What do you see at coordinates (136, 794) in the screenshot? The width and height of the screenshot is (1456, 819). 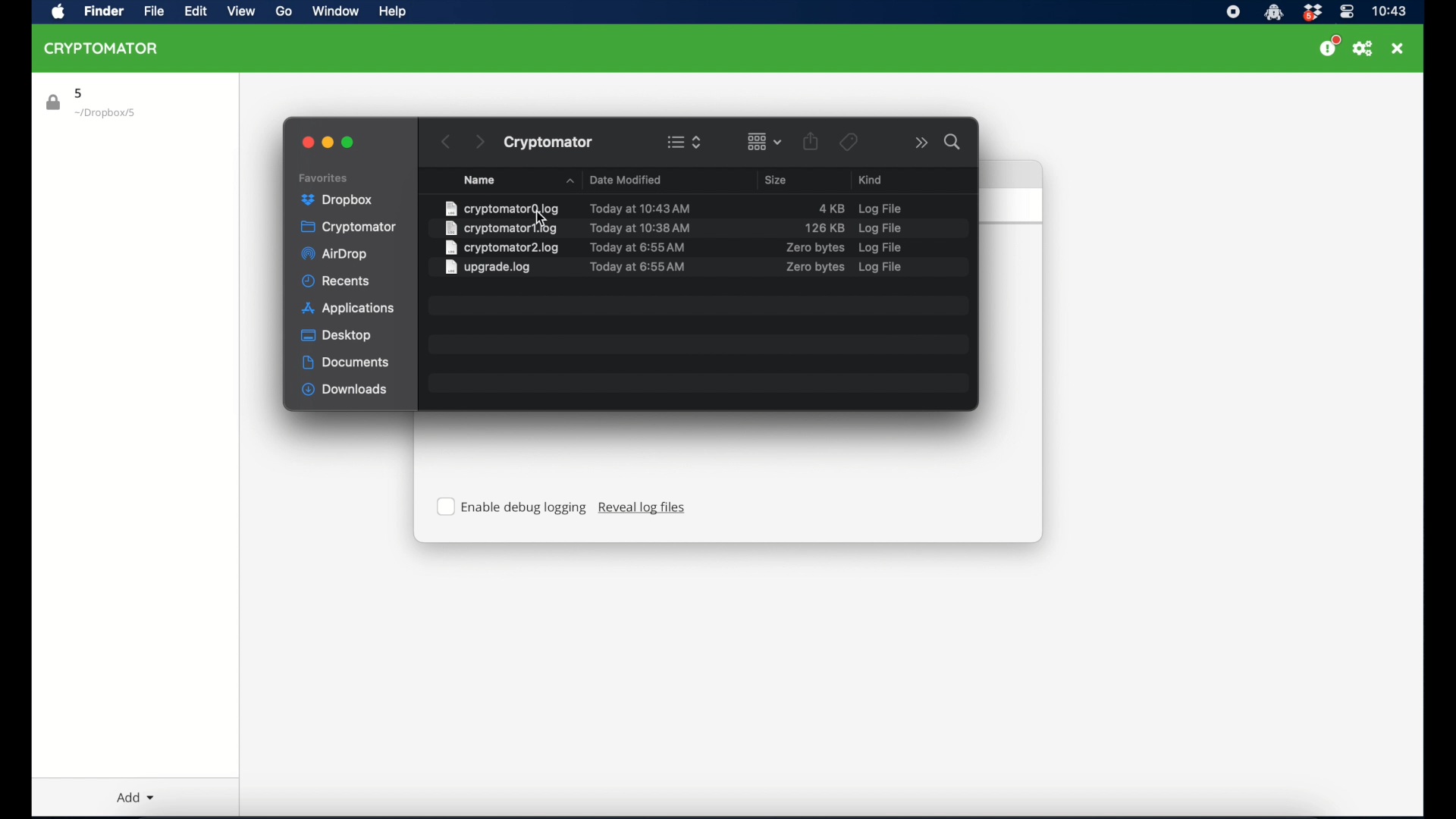 I see `add dropdown` at bounding box center [136, 794].